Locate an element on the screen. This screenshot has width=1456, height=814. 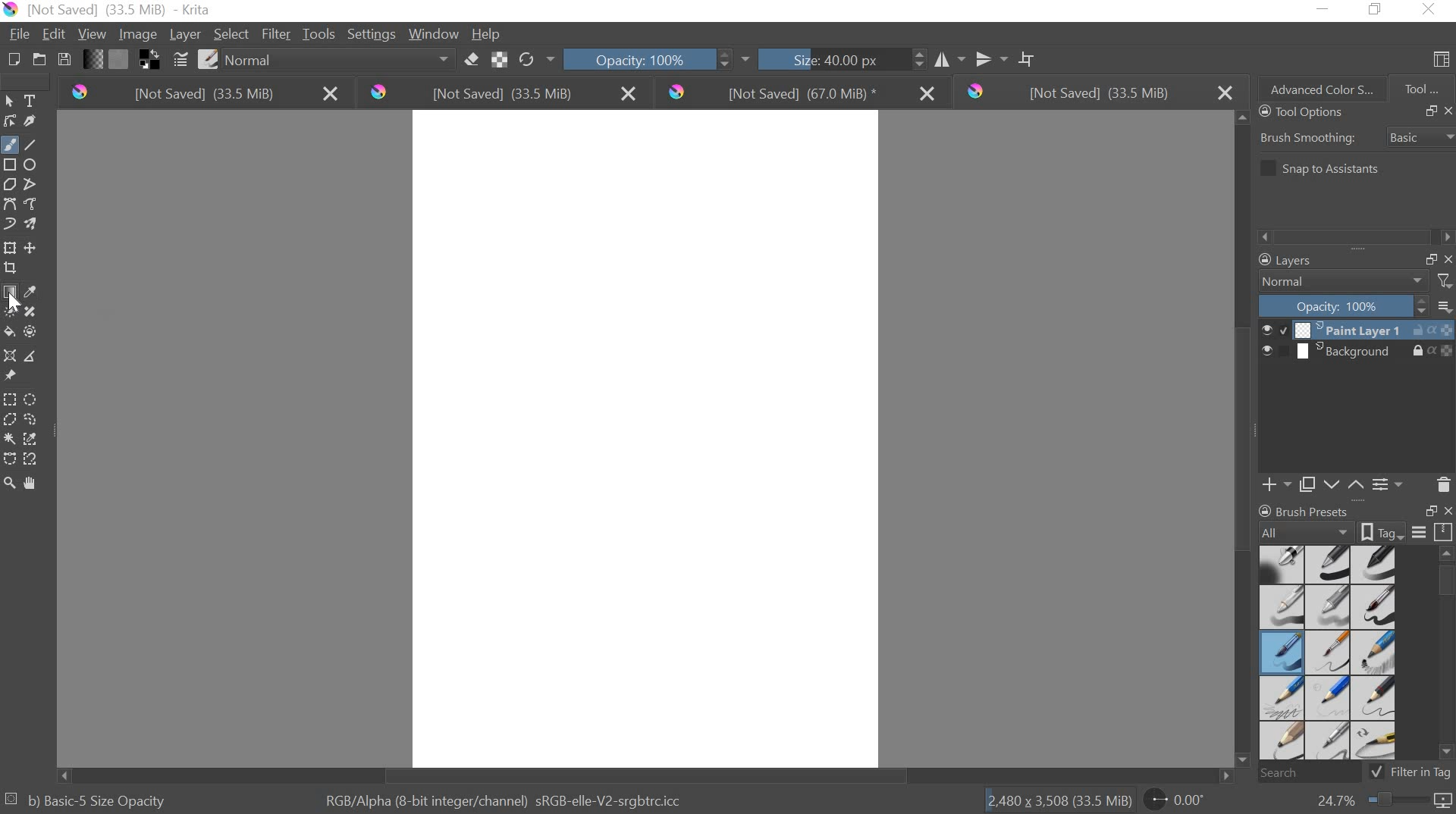
circular selection is located at coordinates (34, 398).